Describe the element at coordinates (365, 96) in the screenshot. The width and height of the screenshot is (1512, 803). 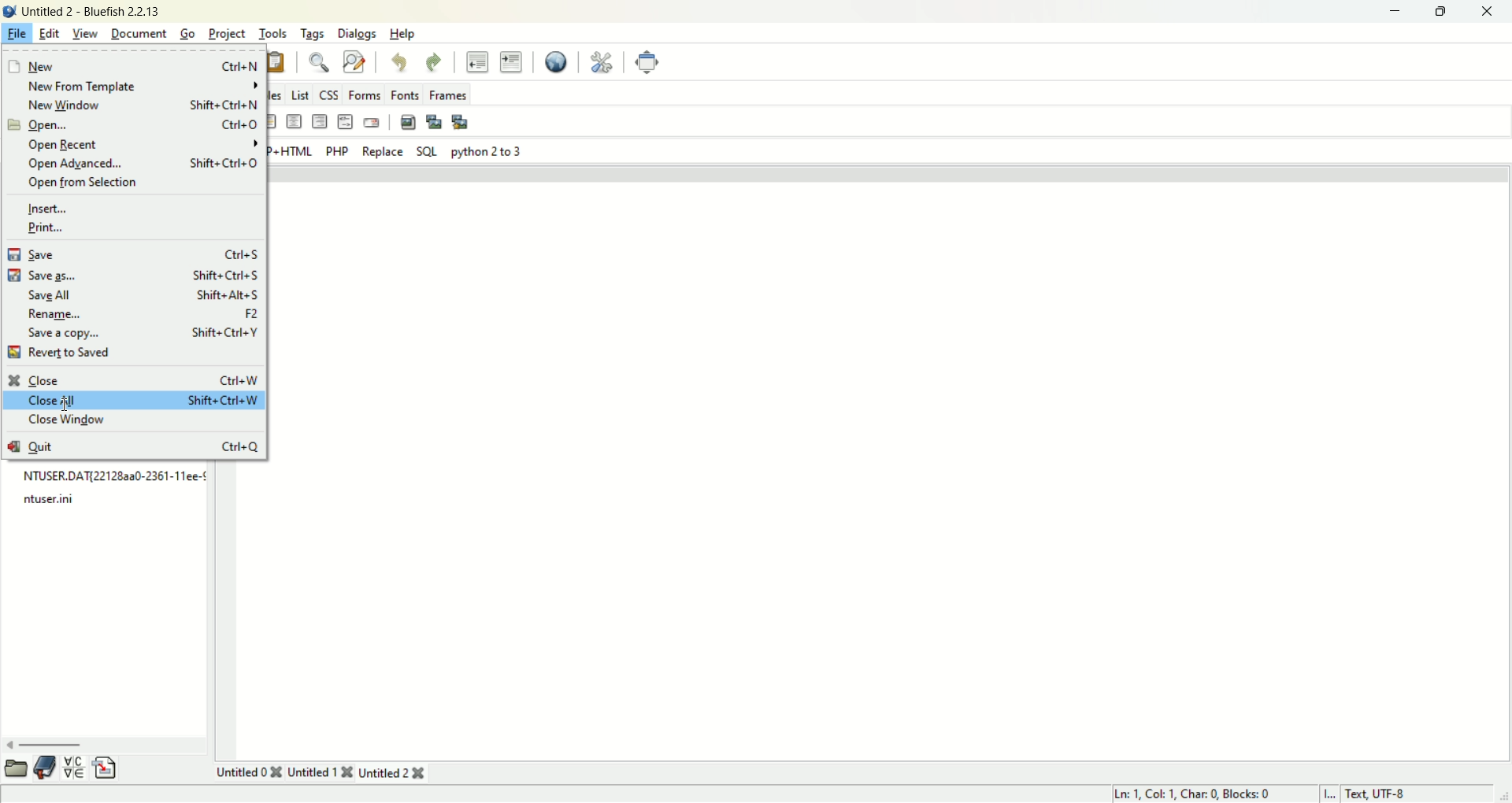
I see `forms` at that location.